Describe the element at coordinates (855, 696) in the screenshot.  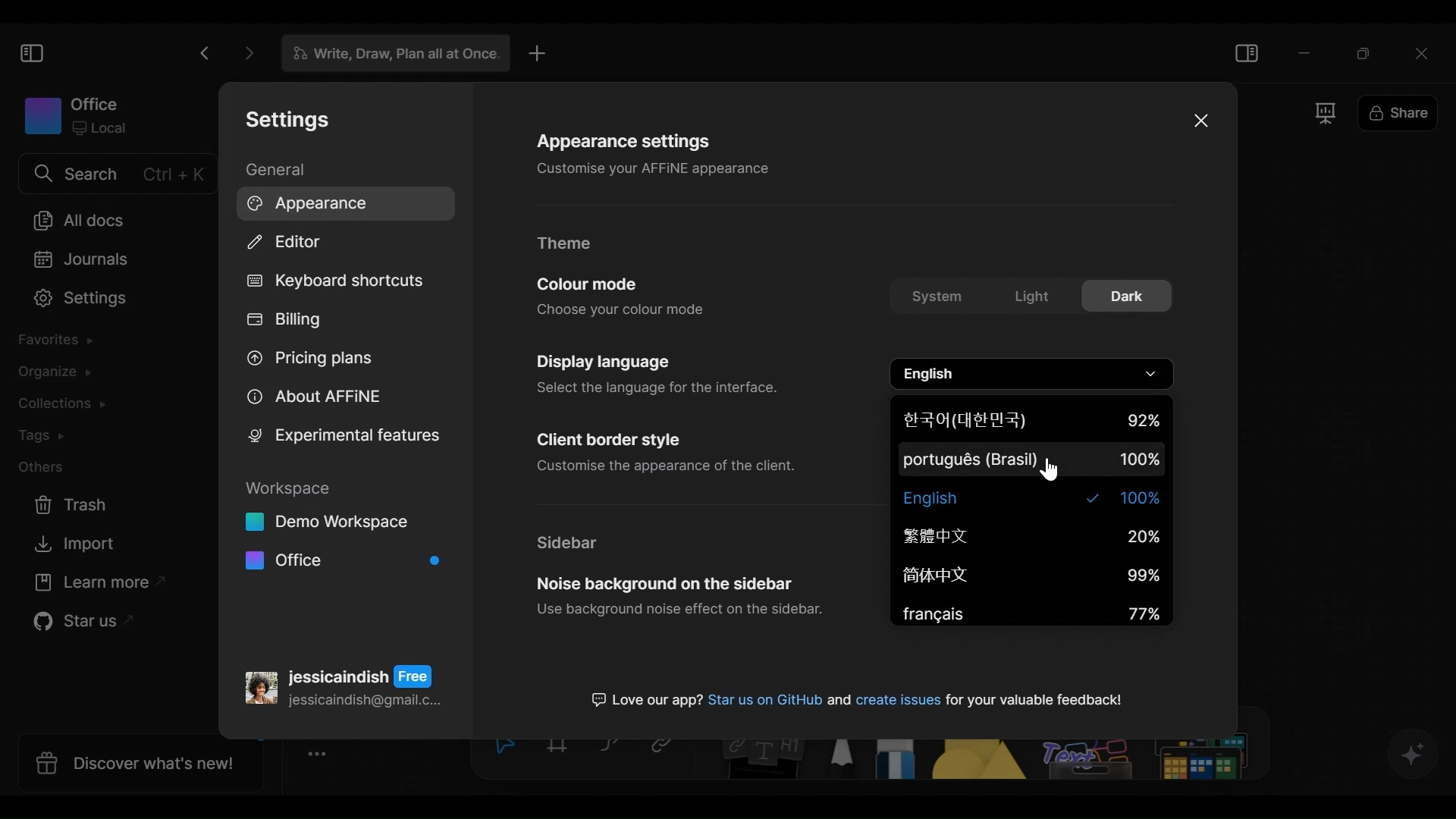
I see `text` at that location.